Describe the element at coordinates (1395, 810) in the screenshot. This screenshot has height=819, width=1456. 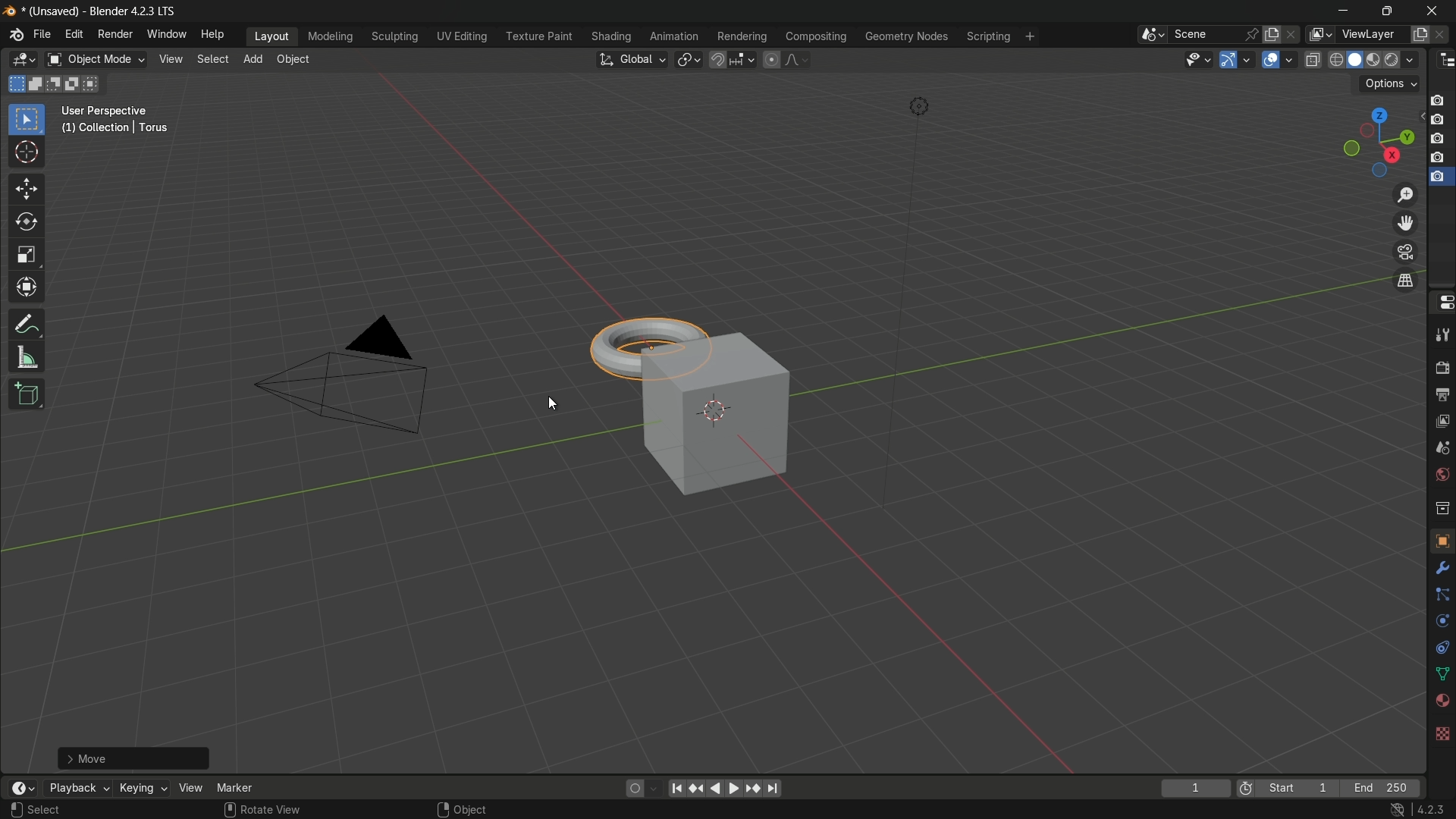
I see `no internet` at that location.